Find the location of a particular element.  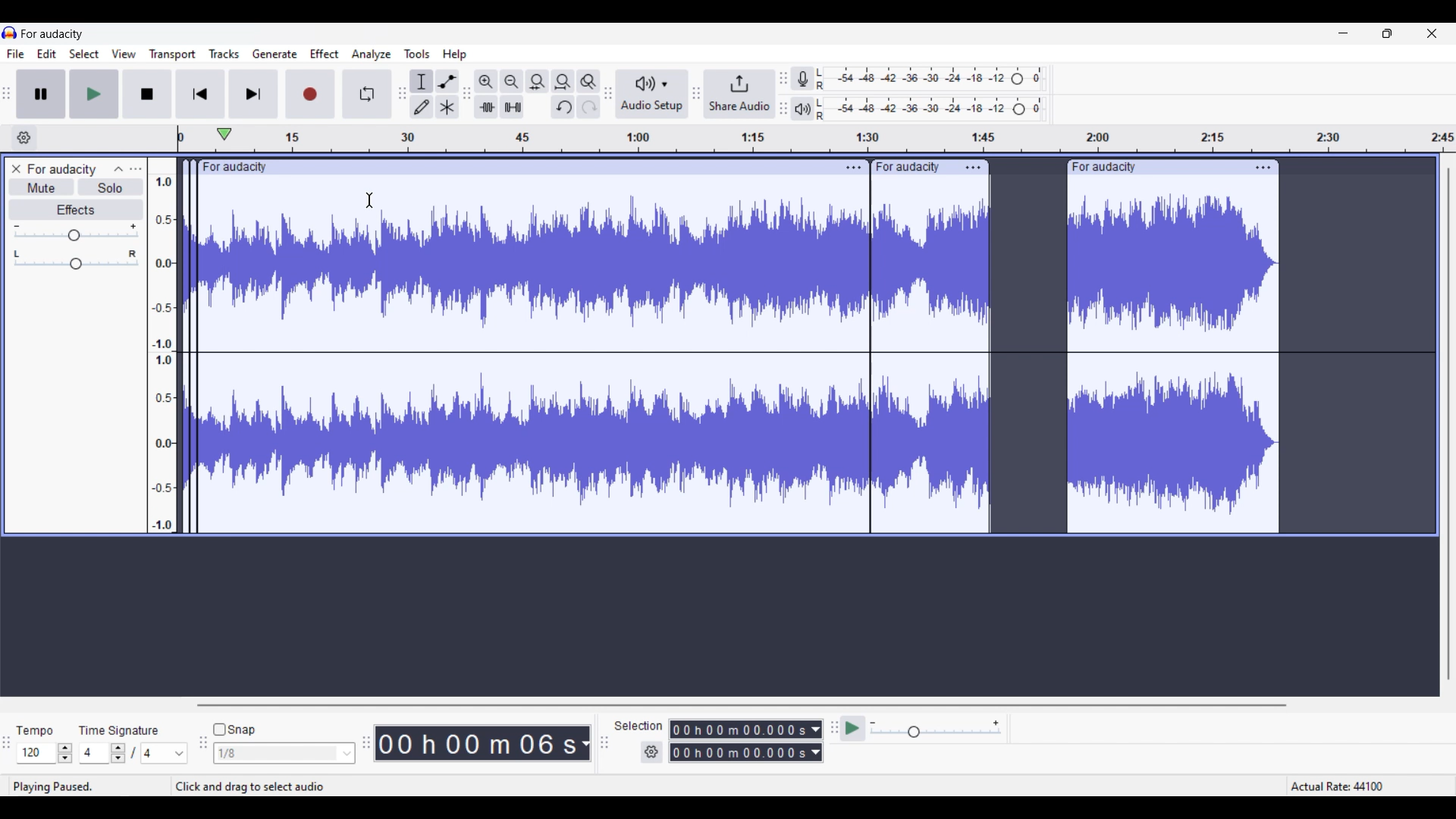

Current track duration is located at coordinates (477, 743).